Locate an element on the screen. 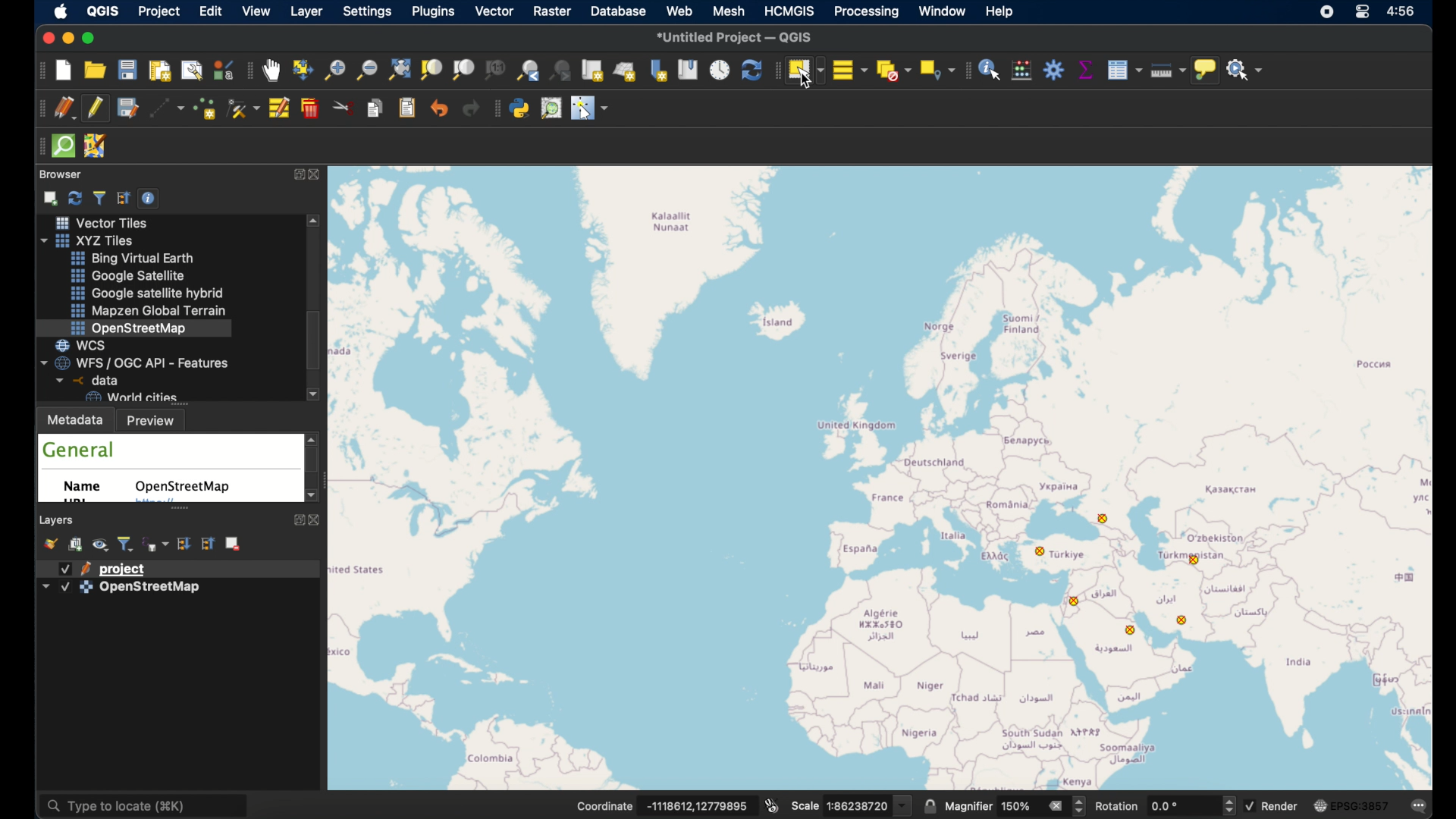 The image size is (1456, 819). toolbox is located at coordinates (1053, 70).